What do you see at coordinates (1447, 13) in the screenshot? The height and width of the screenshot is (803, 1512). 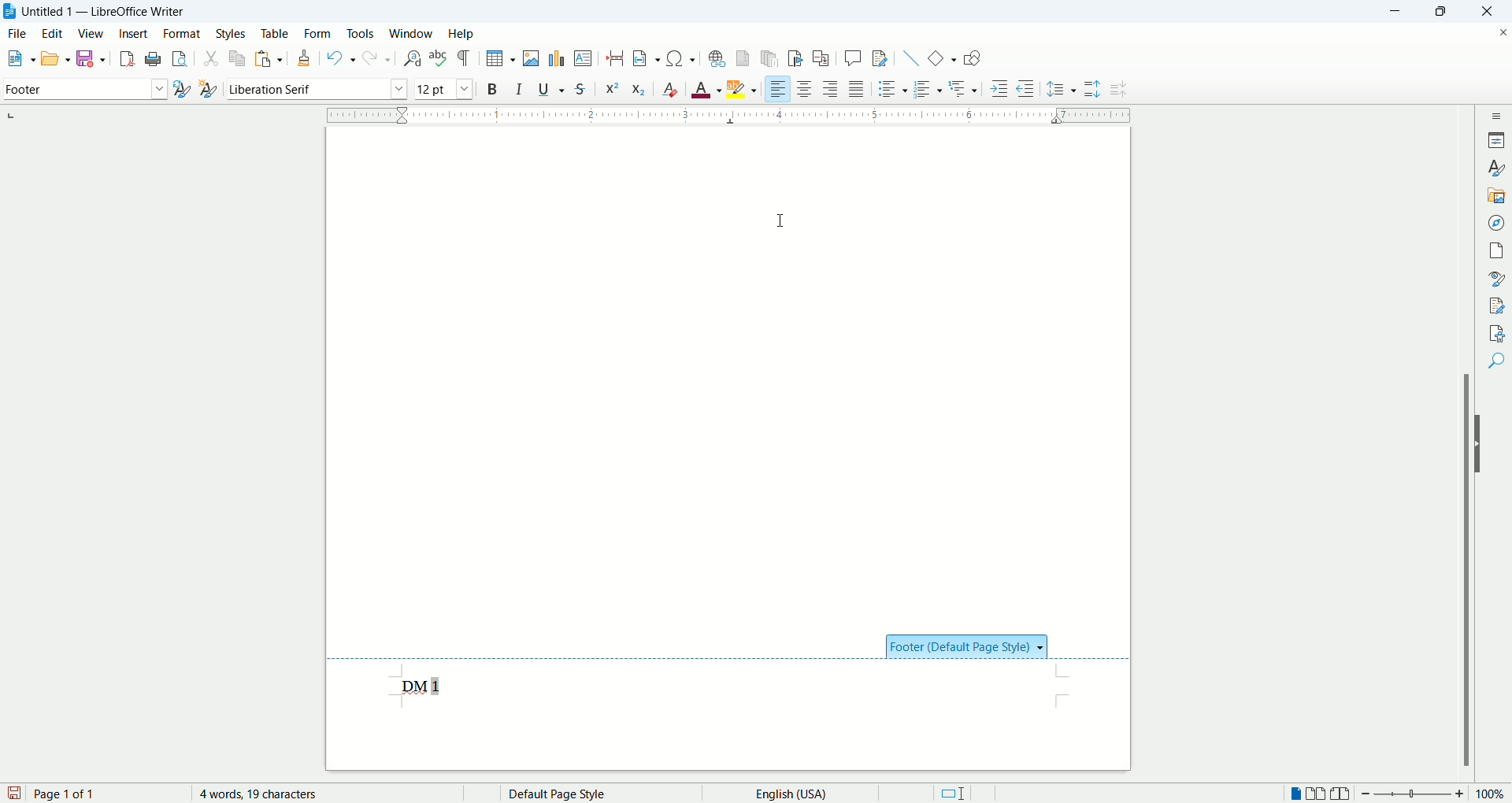 I see `maximize` at bounding box center [1447, 13].